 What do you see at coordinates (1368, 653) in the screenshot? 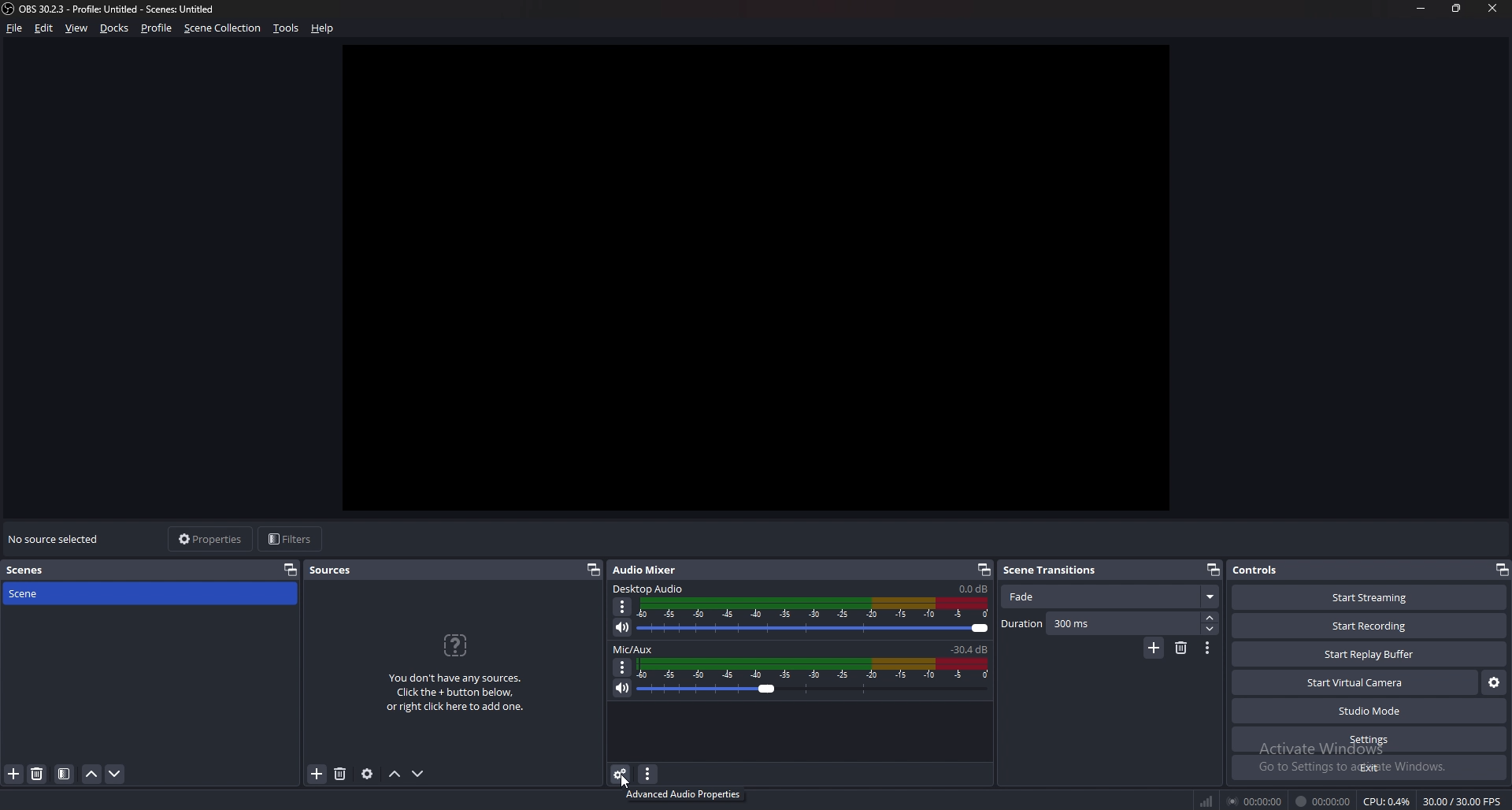
I see `start replay buffer` at bounding box center [1368, 653].